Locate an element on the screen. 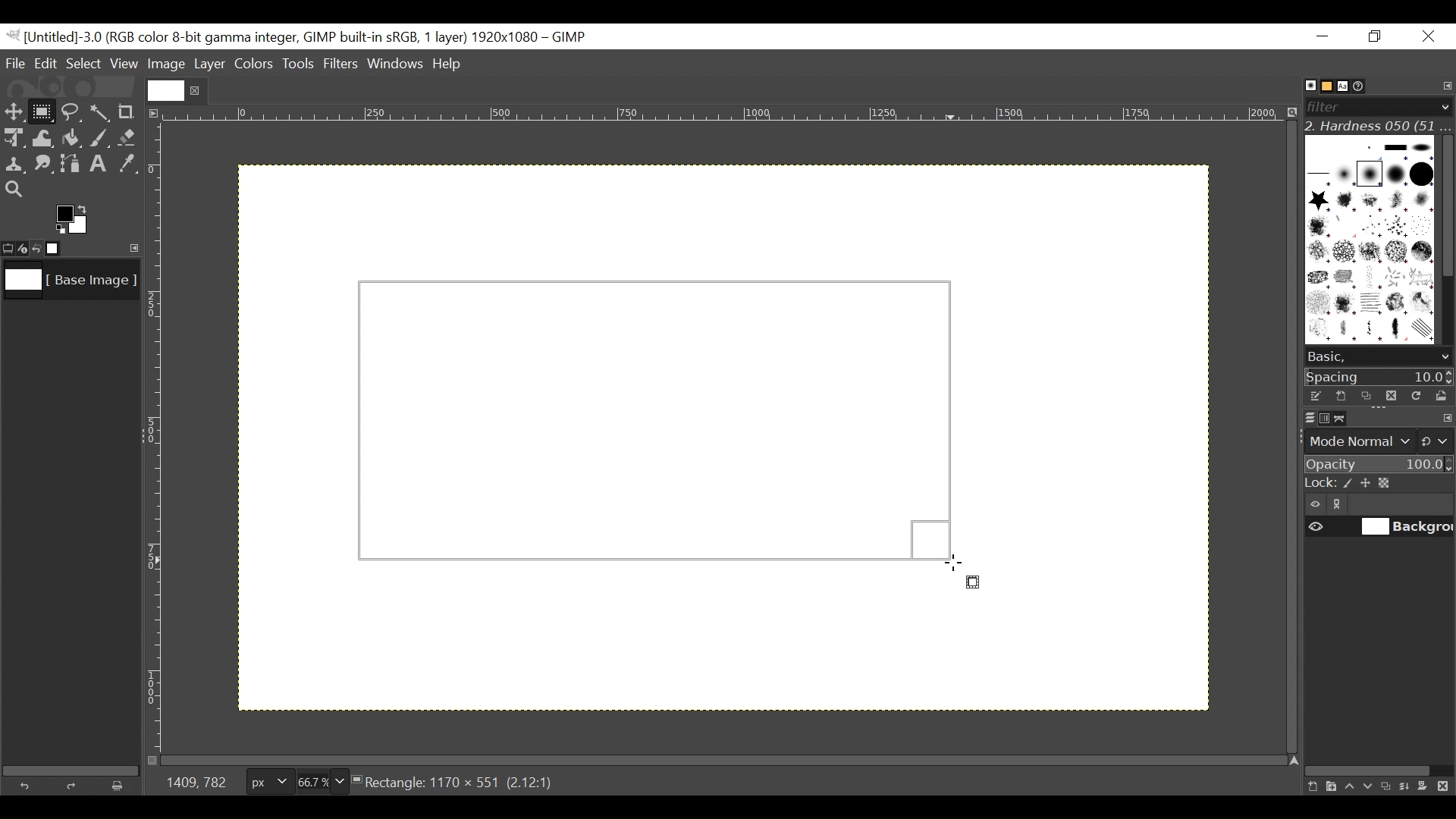 This screenshot has width=1456, height=819. Crop tool is located at coordinates (133, 111).